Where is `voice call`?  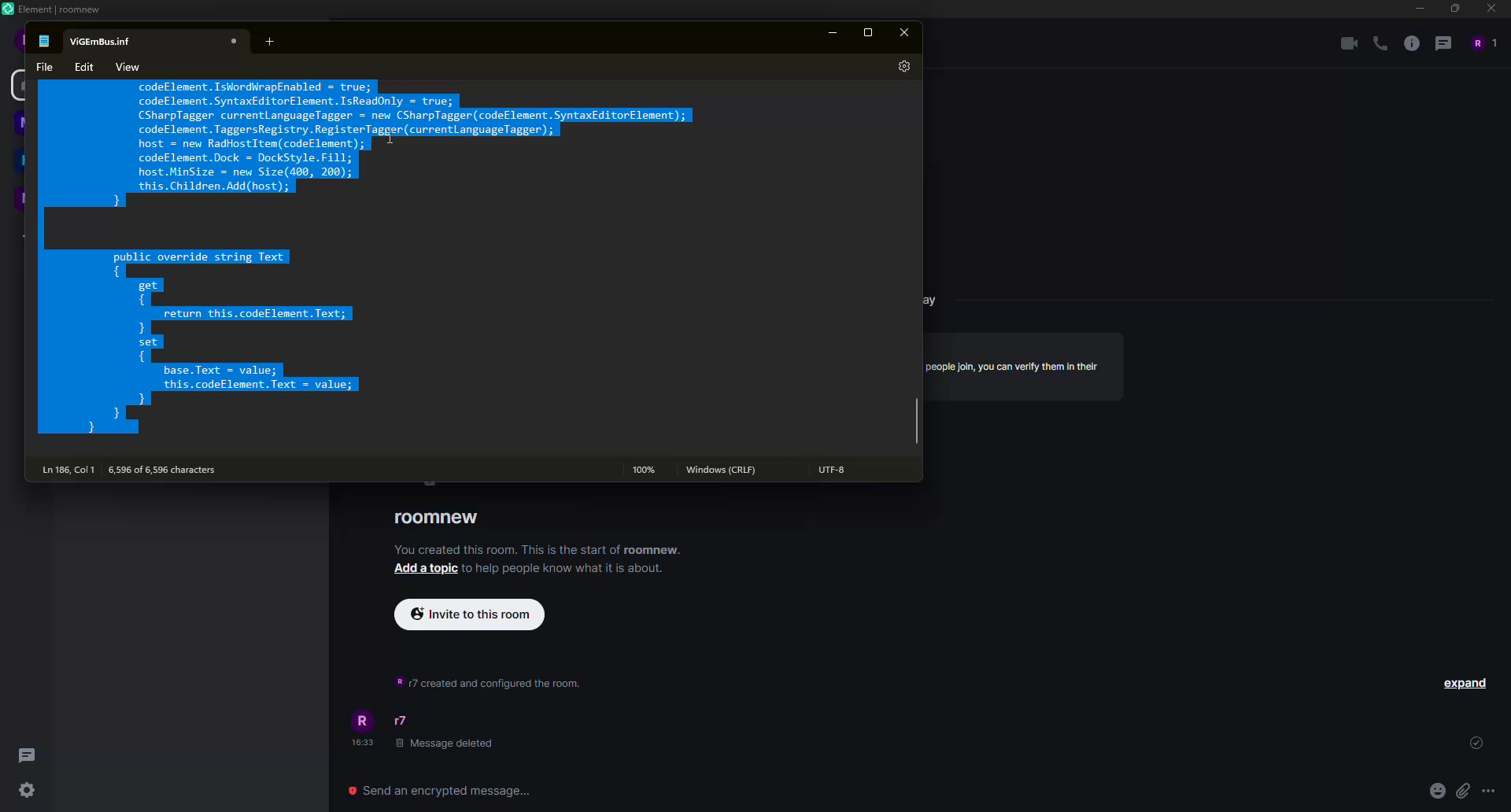 voice call is located at coordinates (1377, 44).